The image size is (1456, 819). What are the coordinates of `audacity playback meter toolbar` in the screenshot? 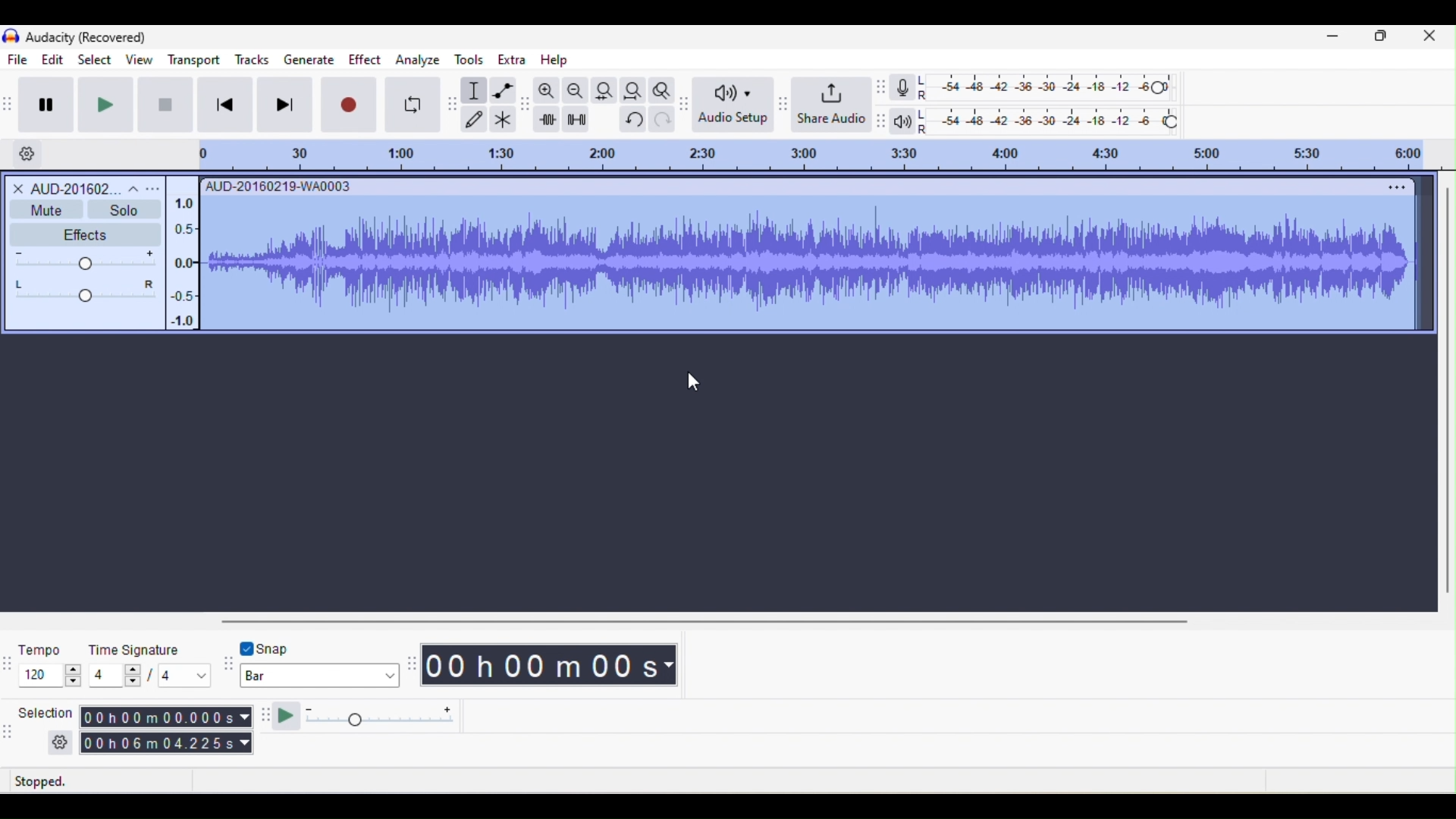 It's located at (884, 119).